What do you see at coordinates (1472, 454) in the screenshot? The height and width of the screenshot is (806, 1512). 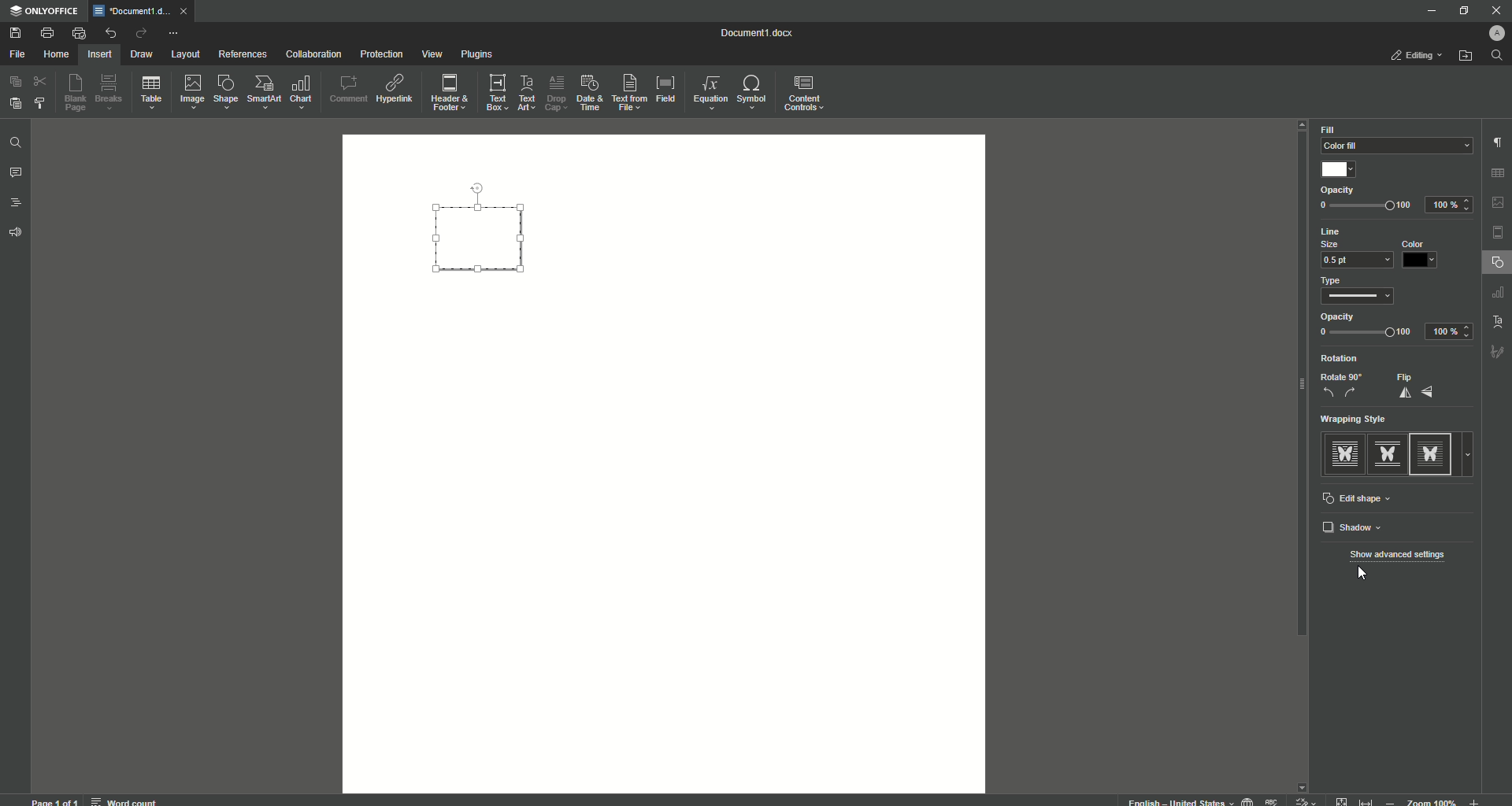 I see `more` at bounding box center [1472, 454].